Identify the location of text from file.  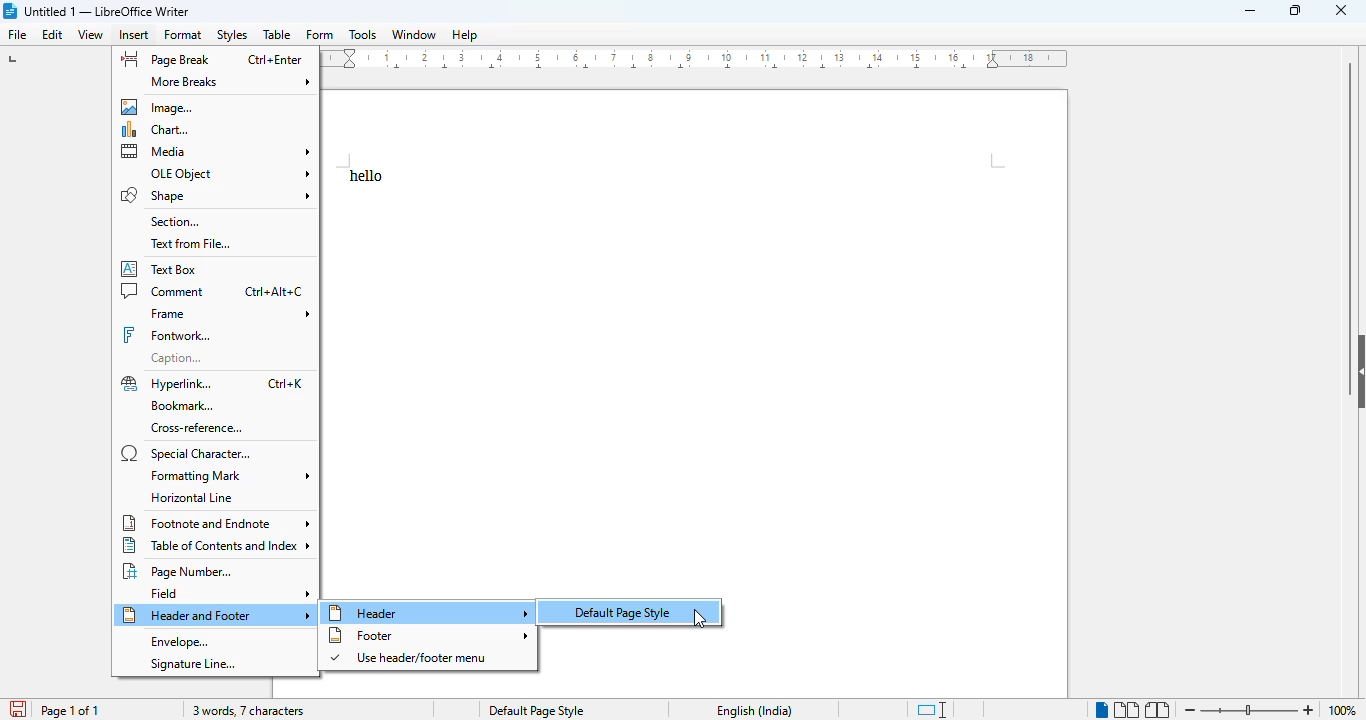
(192, 244).